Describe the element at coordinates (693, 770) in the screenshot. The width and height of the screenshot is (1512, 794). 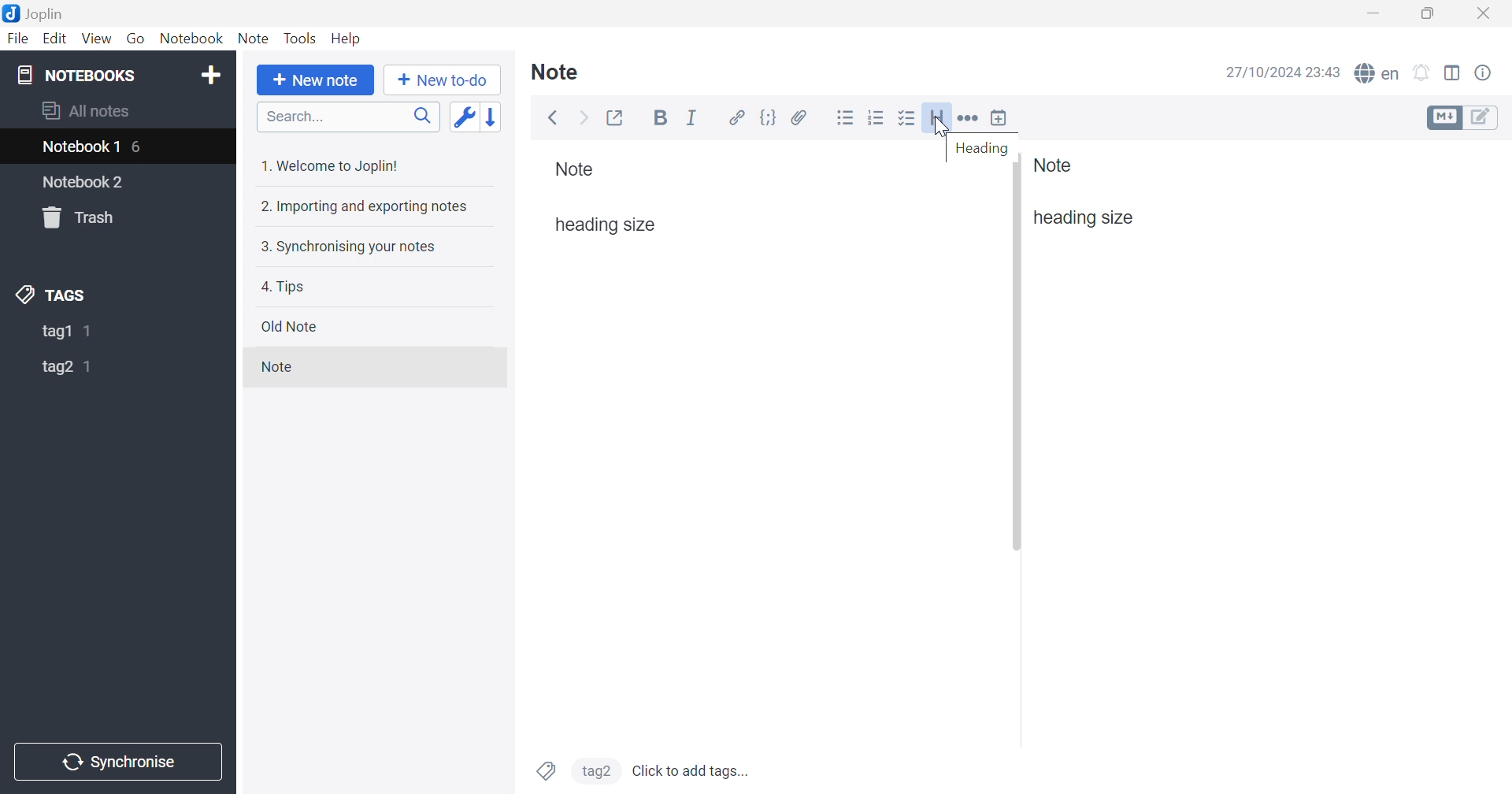
I see `Click to add tags` at that location.